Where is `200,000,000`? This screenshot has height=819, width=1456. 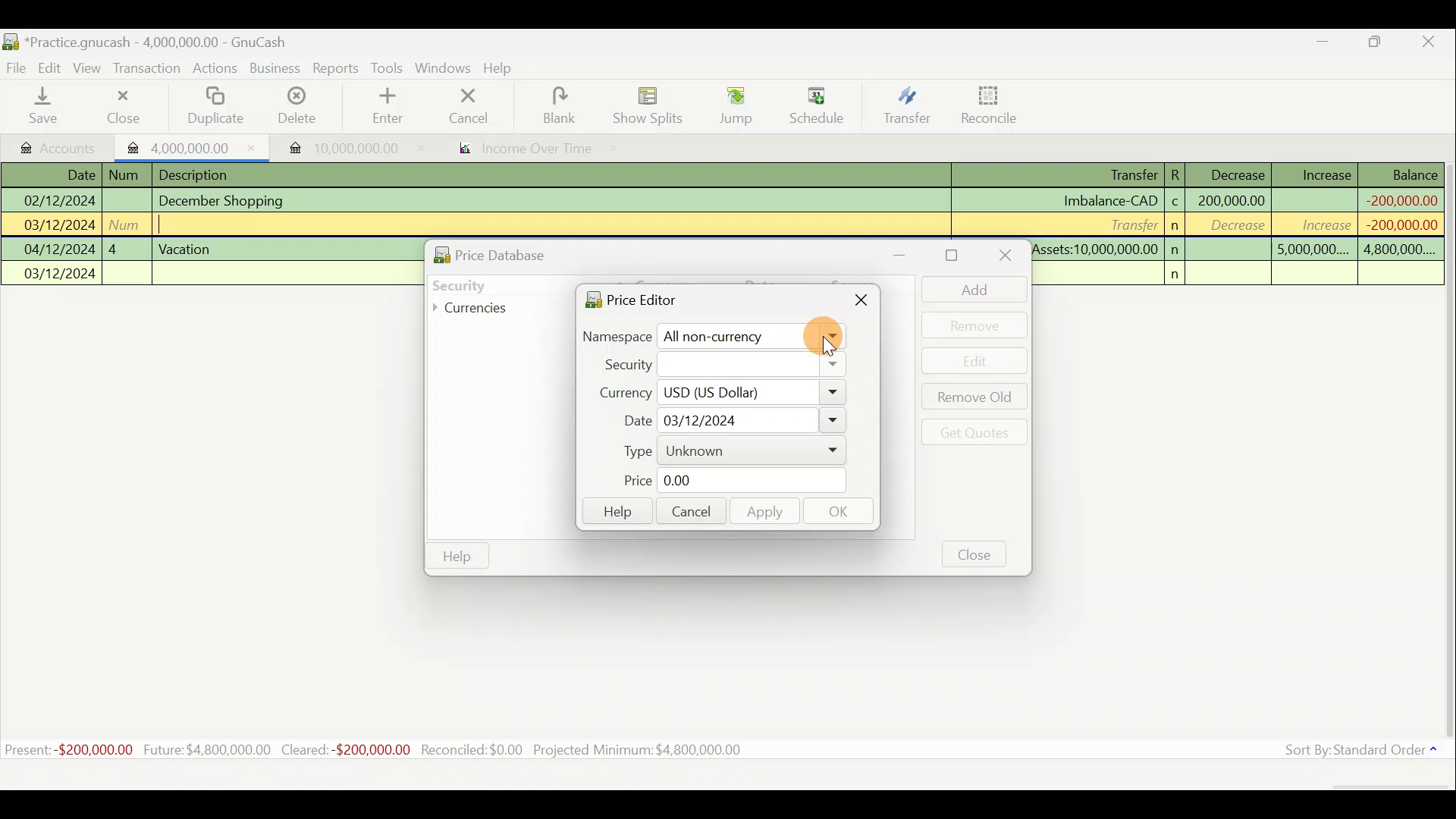 200,000,000 is located at coordinates (1230, 200).